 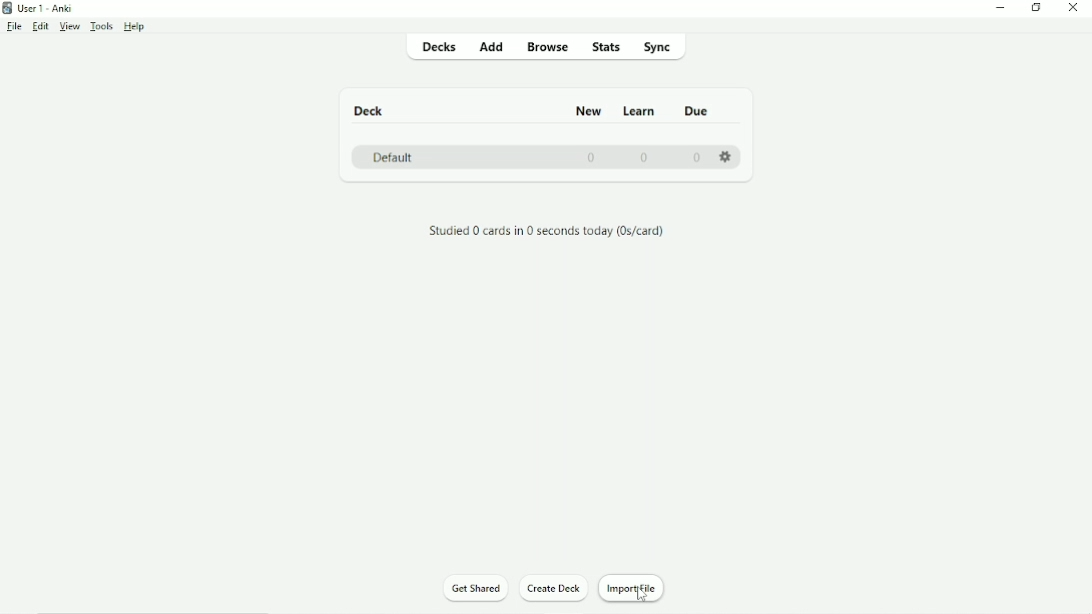 I want to click on Sync, so click(x=662, y=47).